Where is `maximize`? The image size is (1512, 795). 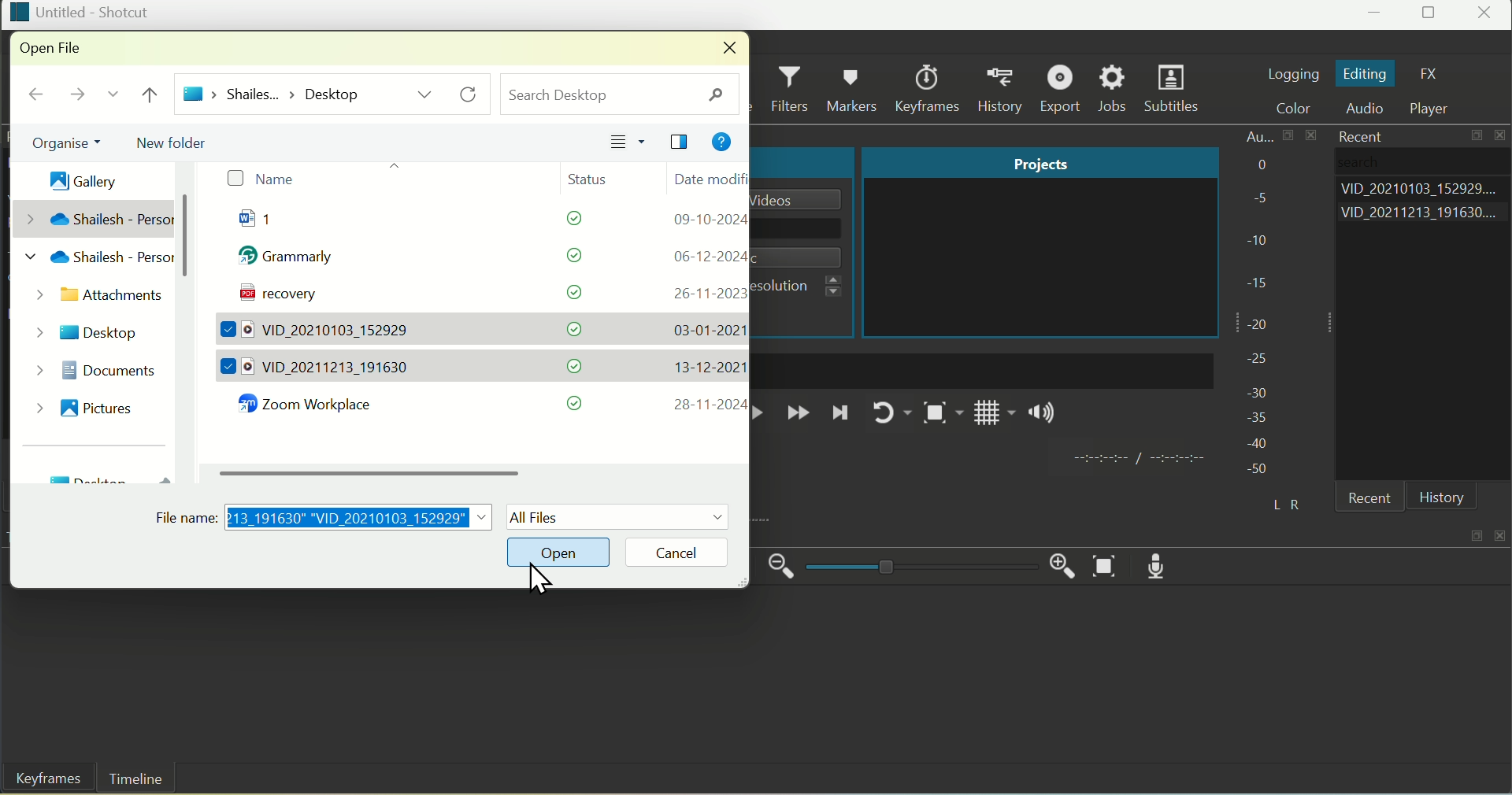 maximize is located at coordinates (1475, 534).